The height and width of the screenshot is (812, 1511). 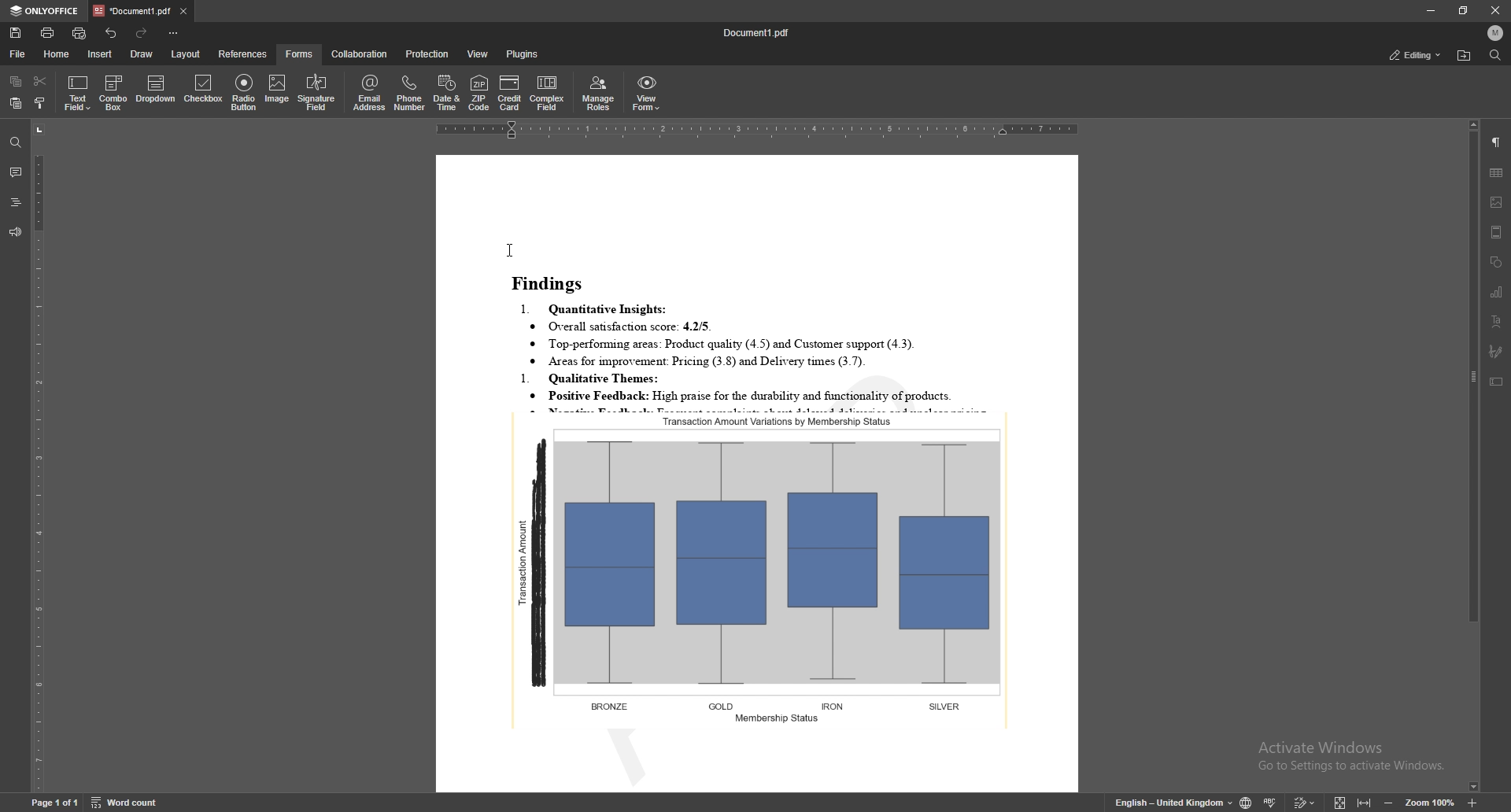 I want to click on date and time, so click(x=446, y=94).